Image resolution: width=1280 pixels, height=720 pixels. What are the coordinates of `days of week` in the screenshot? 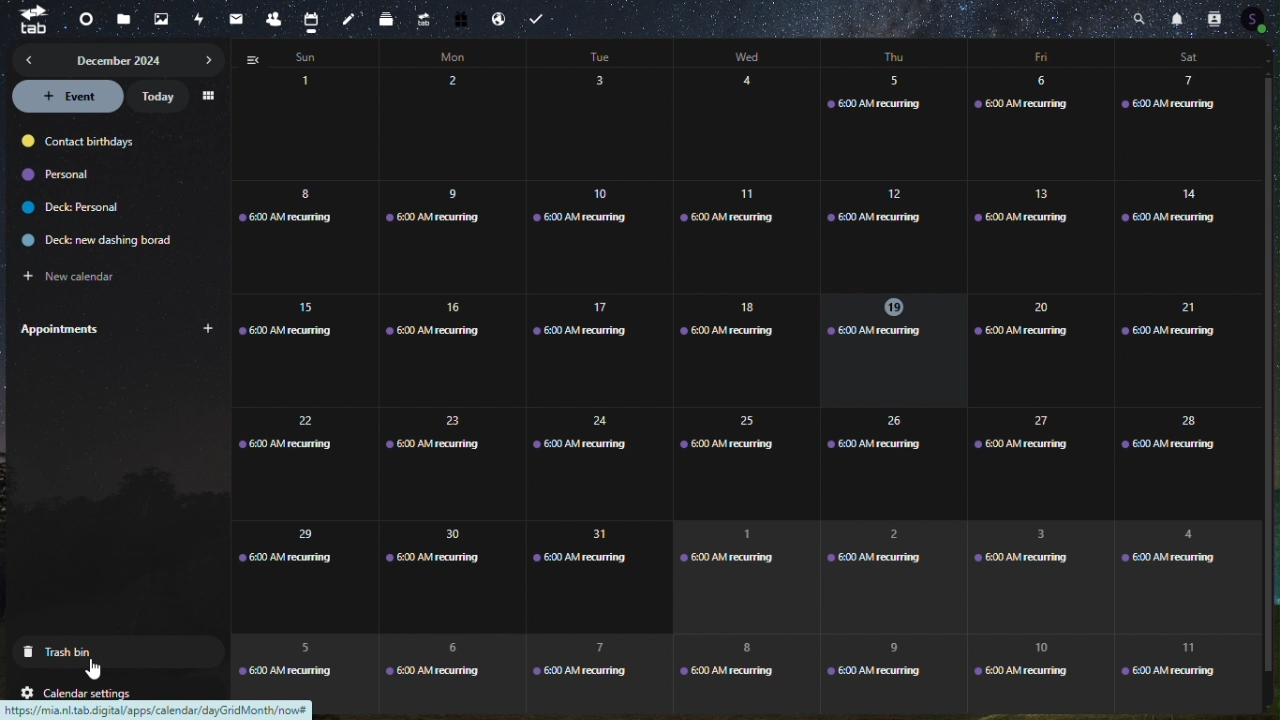 It's located at (747, 55).